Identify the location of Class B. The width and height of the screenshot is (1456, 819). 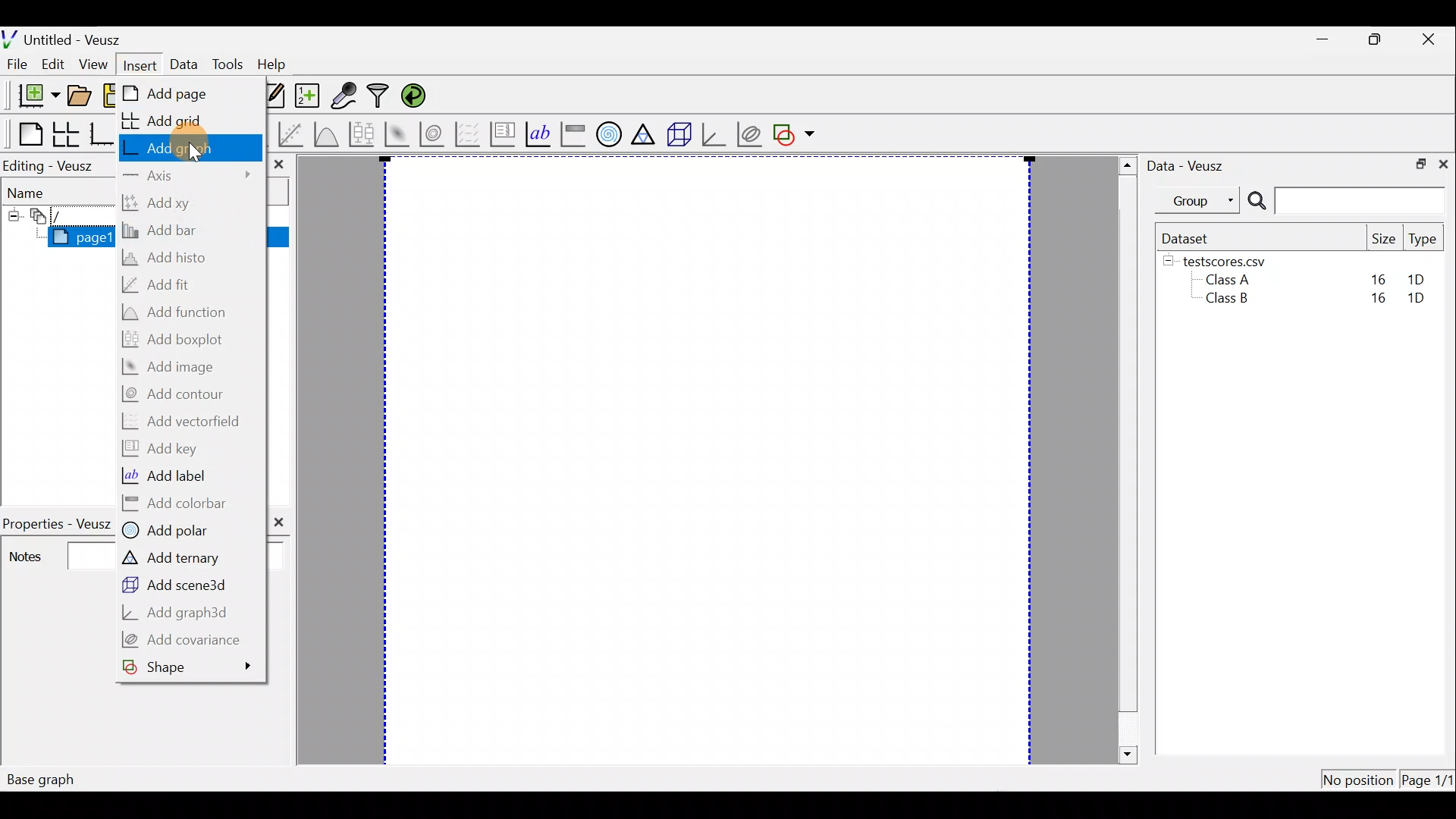
(1225, 301).